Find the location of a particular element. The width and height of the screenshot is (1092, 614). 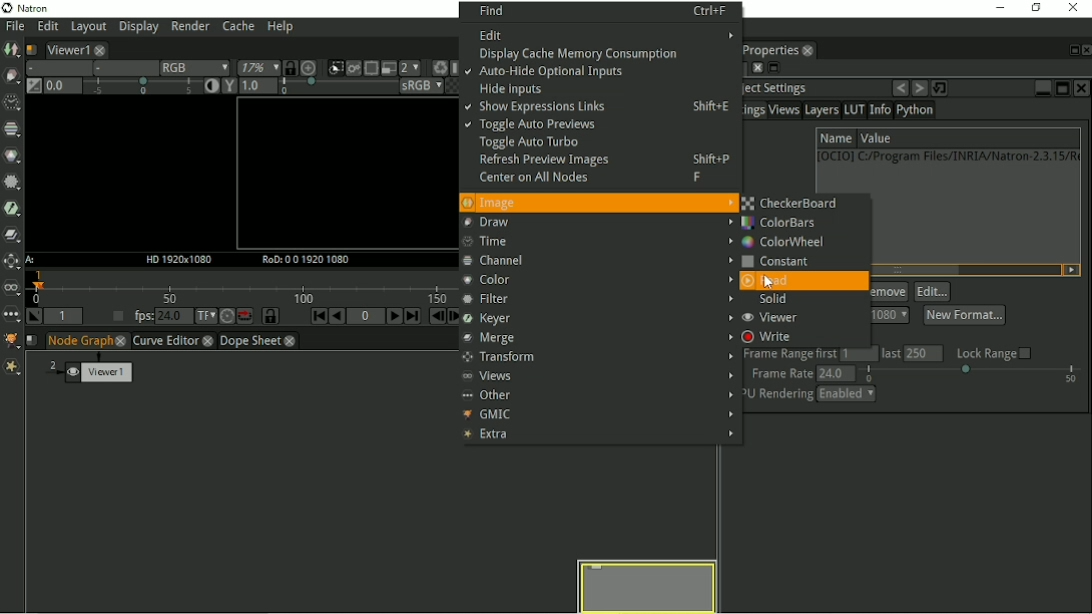

Restore default value is located at coordinates (942, 87).